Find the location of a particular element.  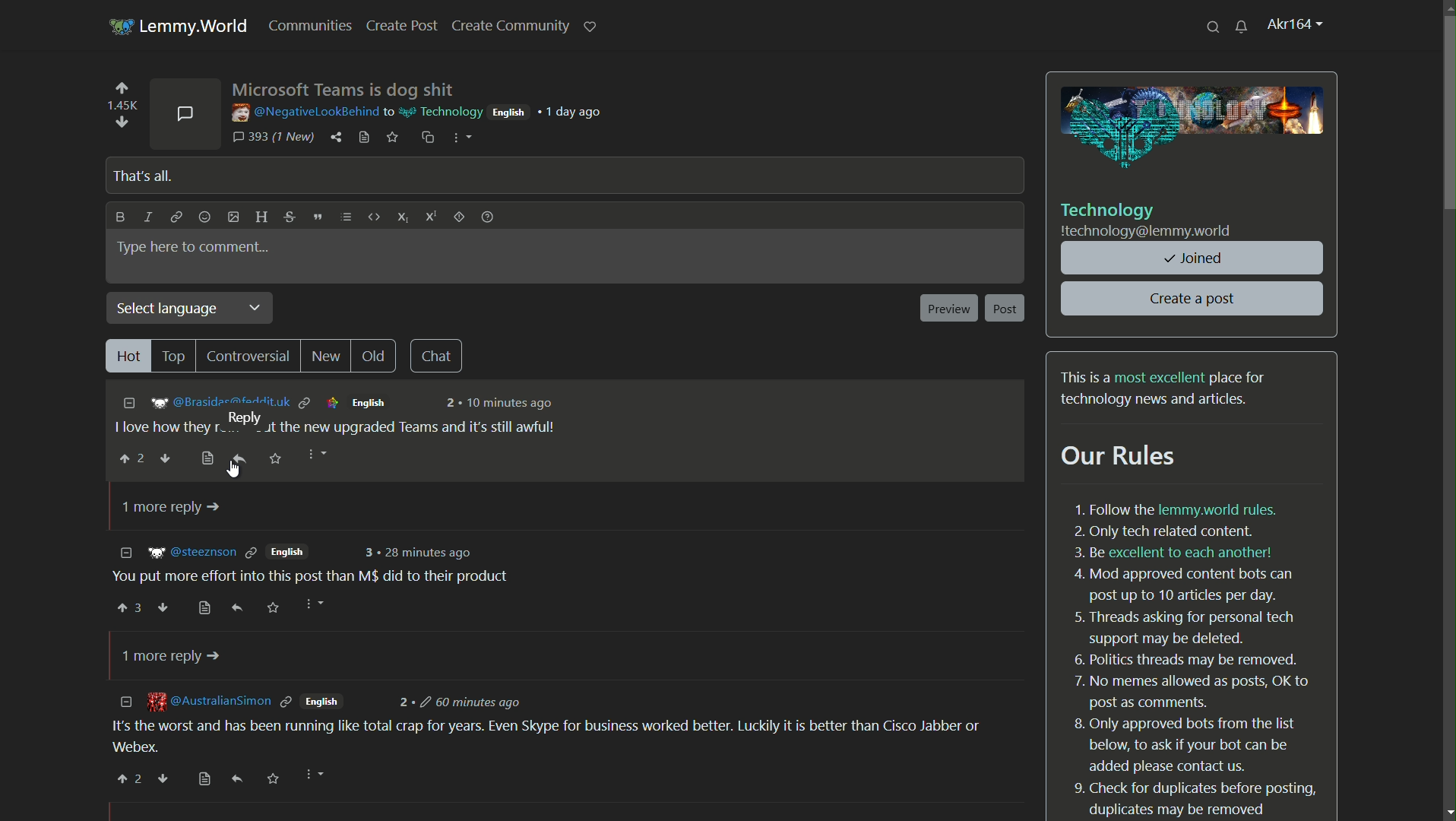

add emoji is located at coordinates (204, 217).